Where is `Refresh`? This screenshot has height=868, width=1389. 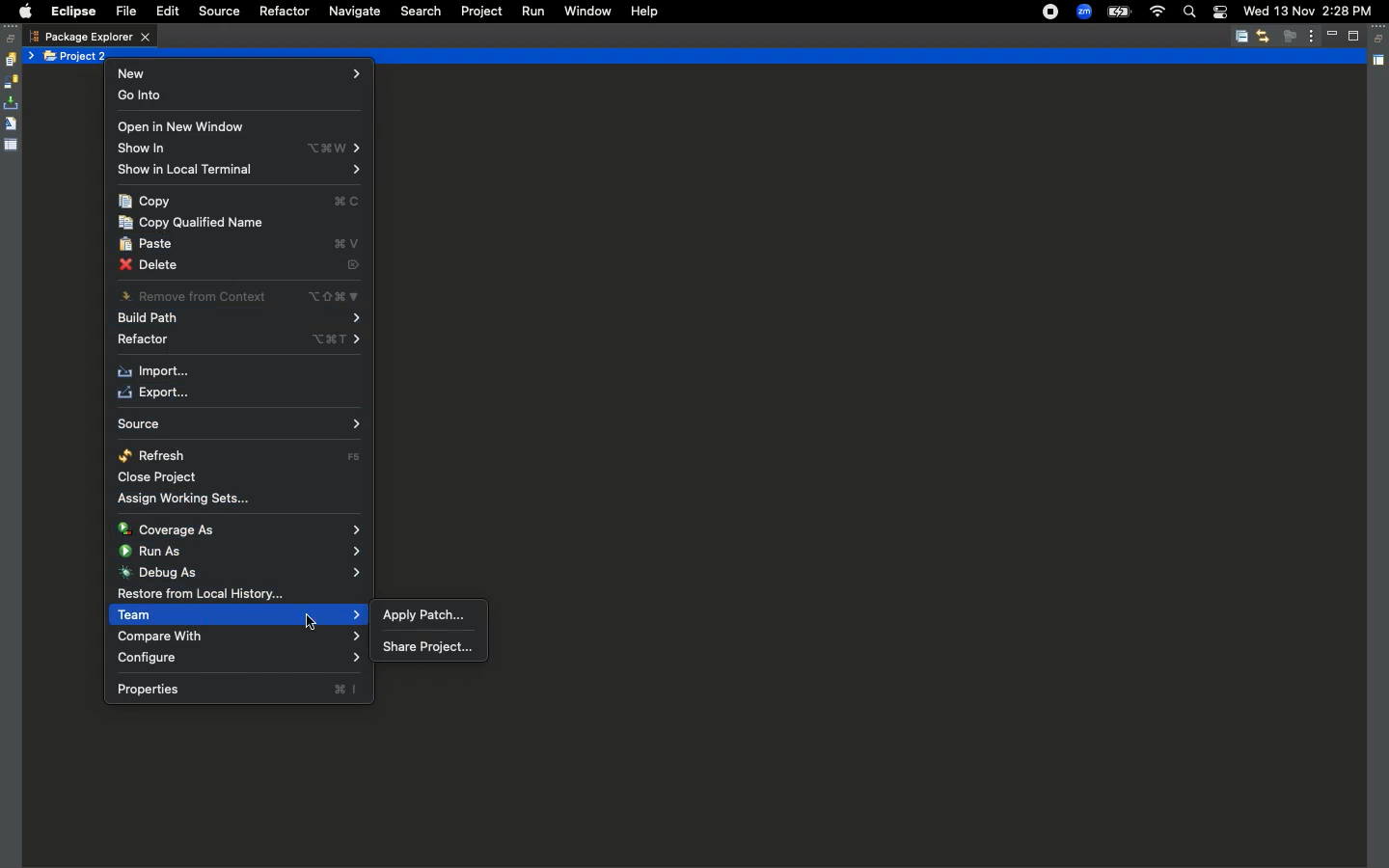
Refresh is located at coordinates (242, 455).